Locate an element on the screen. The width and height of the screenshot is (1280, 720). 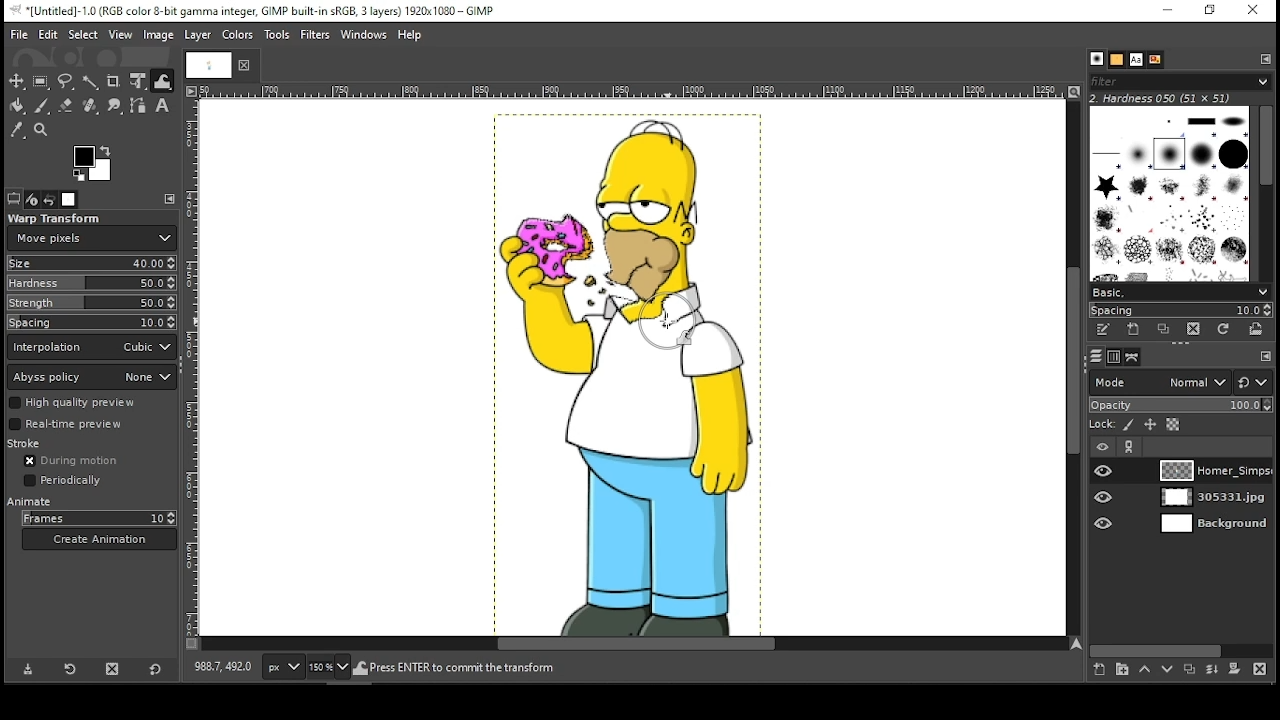
text is located at coordinates (1137, 60).